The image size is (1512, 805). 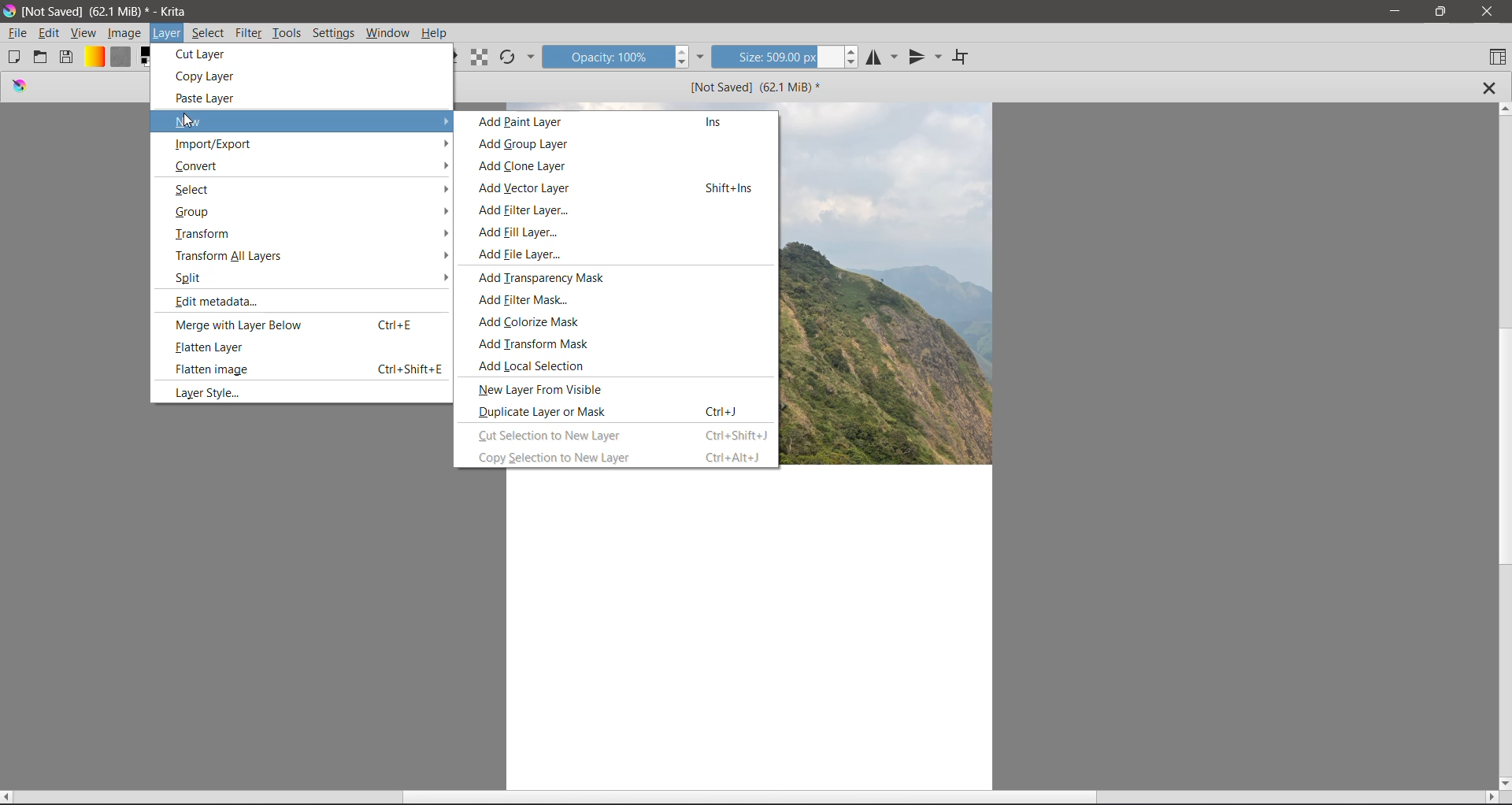 I want to click on Canvas with an Image Layer , so click(x=752, y=629).